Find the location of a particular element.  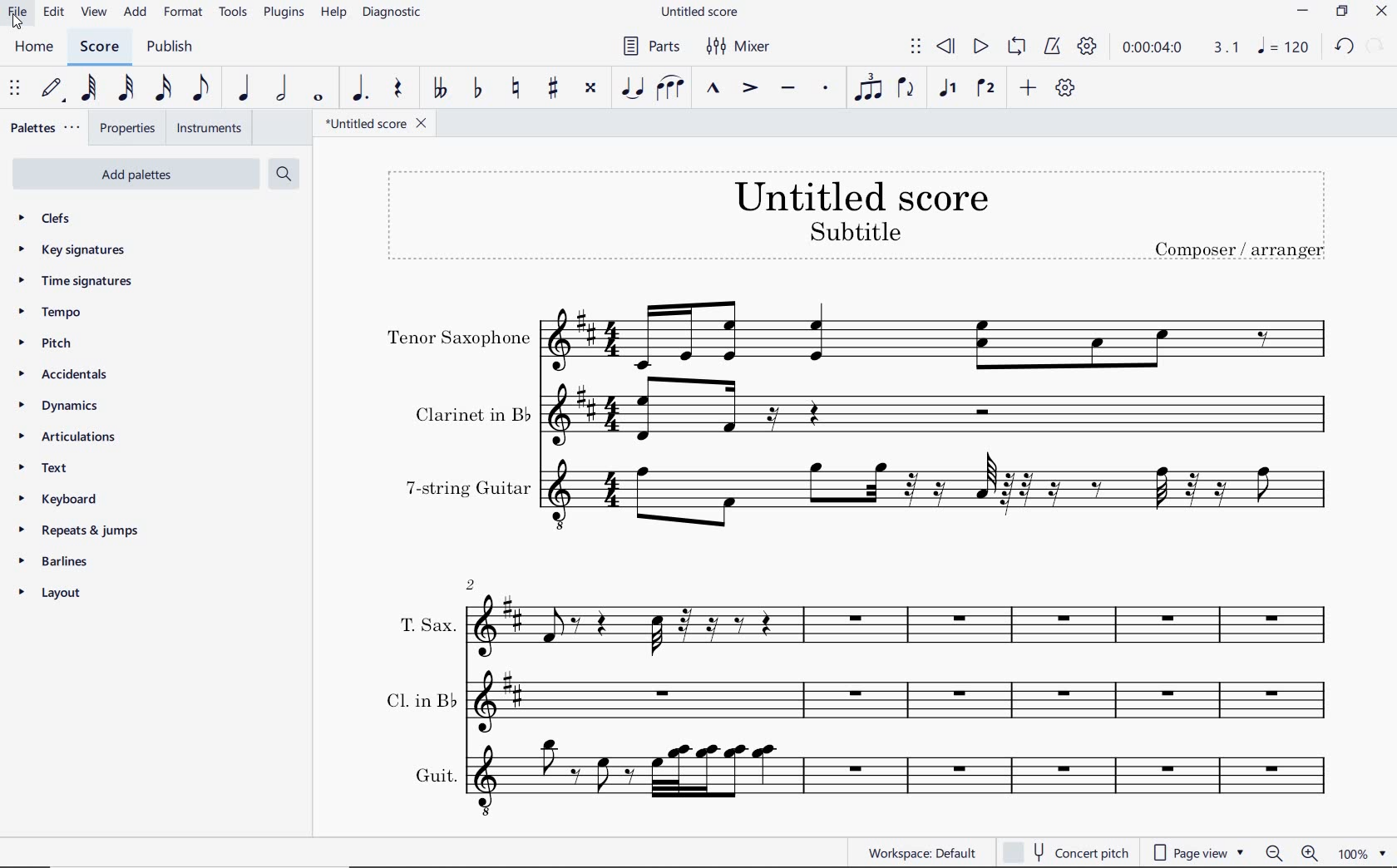

PLAYBACK SETTINGS is located at coordinates (1089, 48).